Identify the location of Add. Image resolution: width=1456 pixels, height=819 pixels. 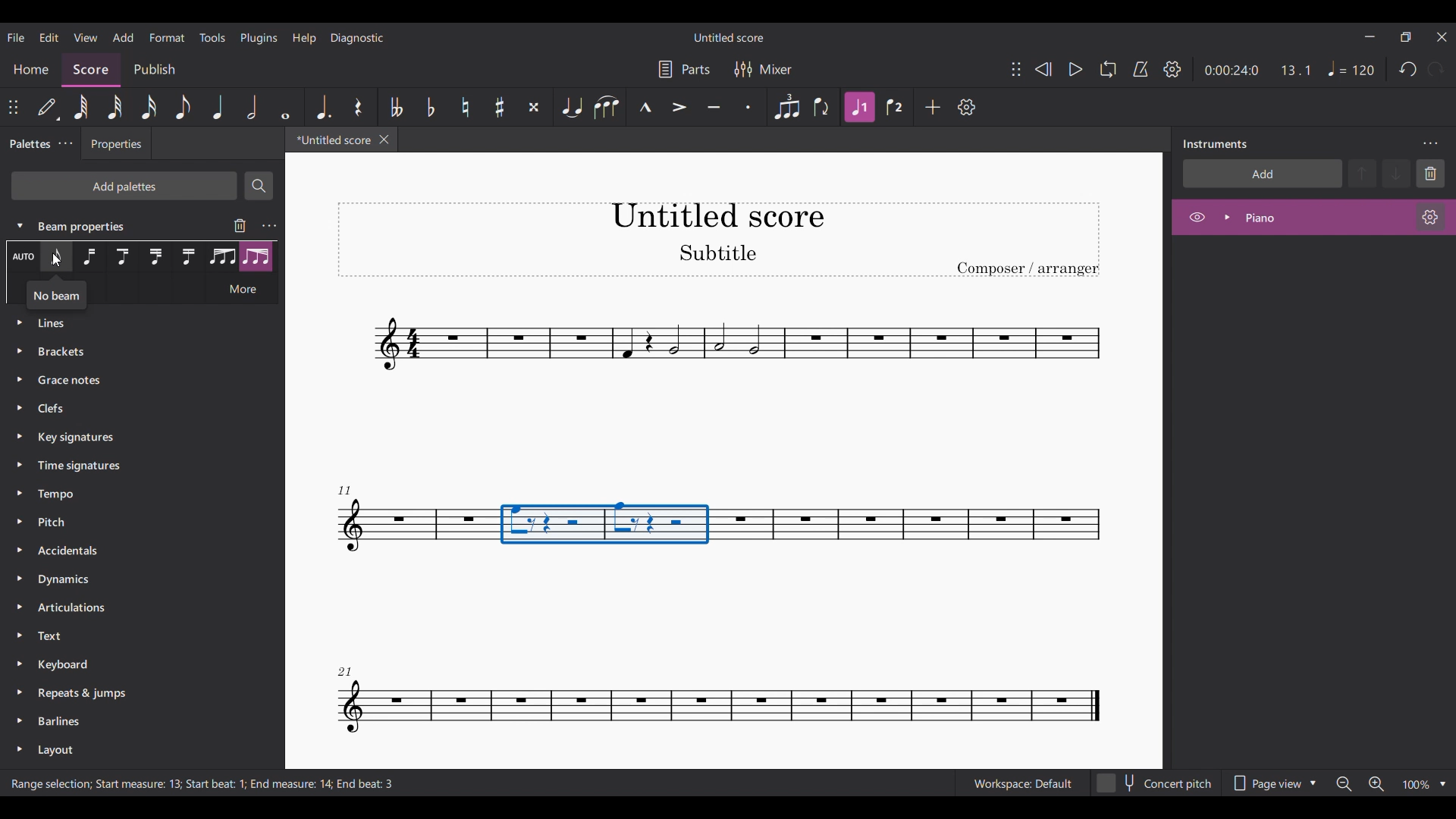
(933, 107).